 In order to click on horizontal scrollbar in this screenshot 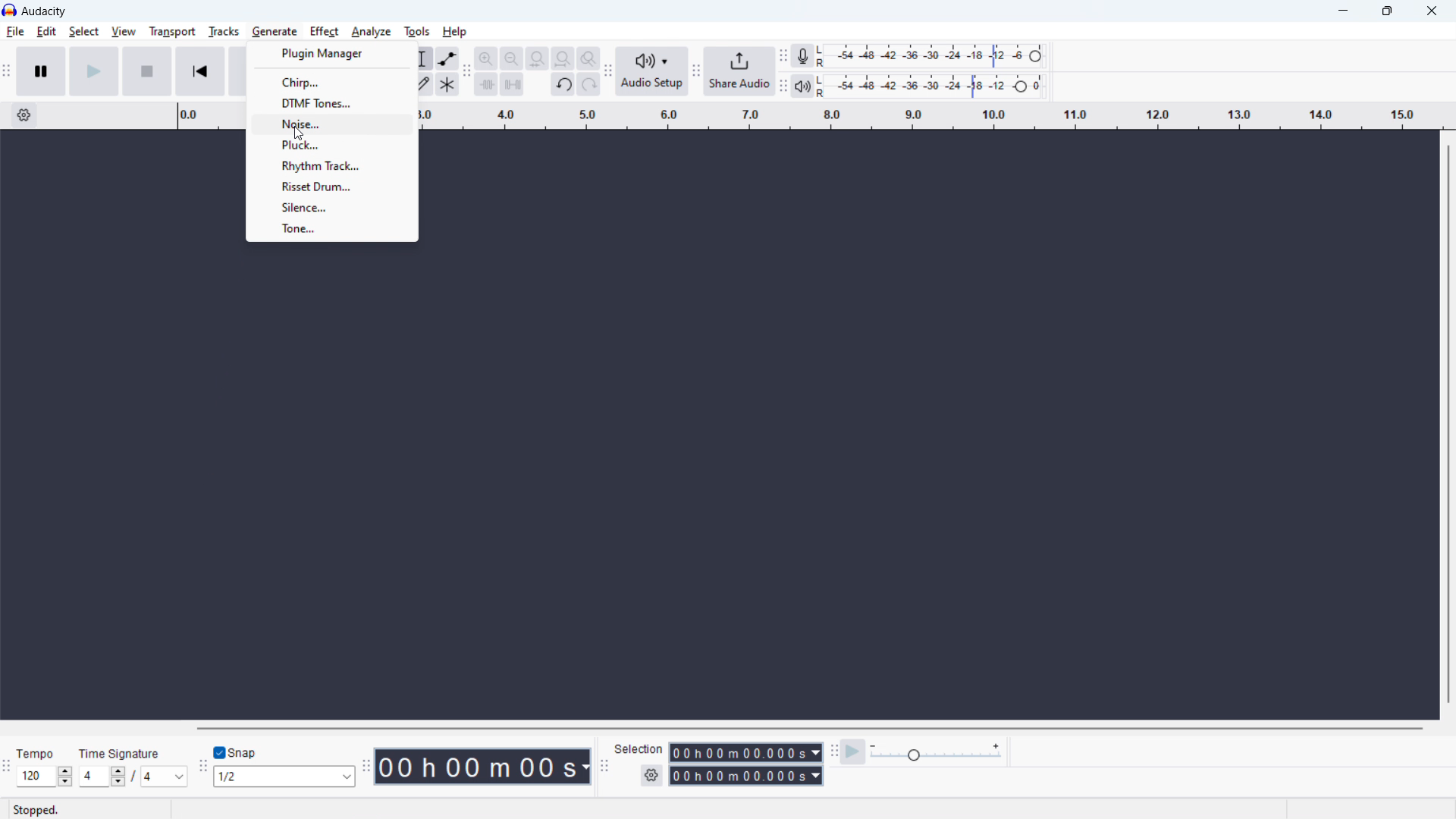, I will do `click(807, 728)`.